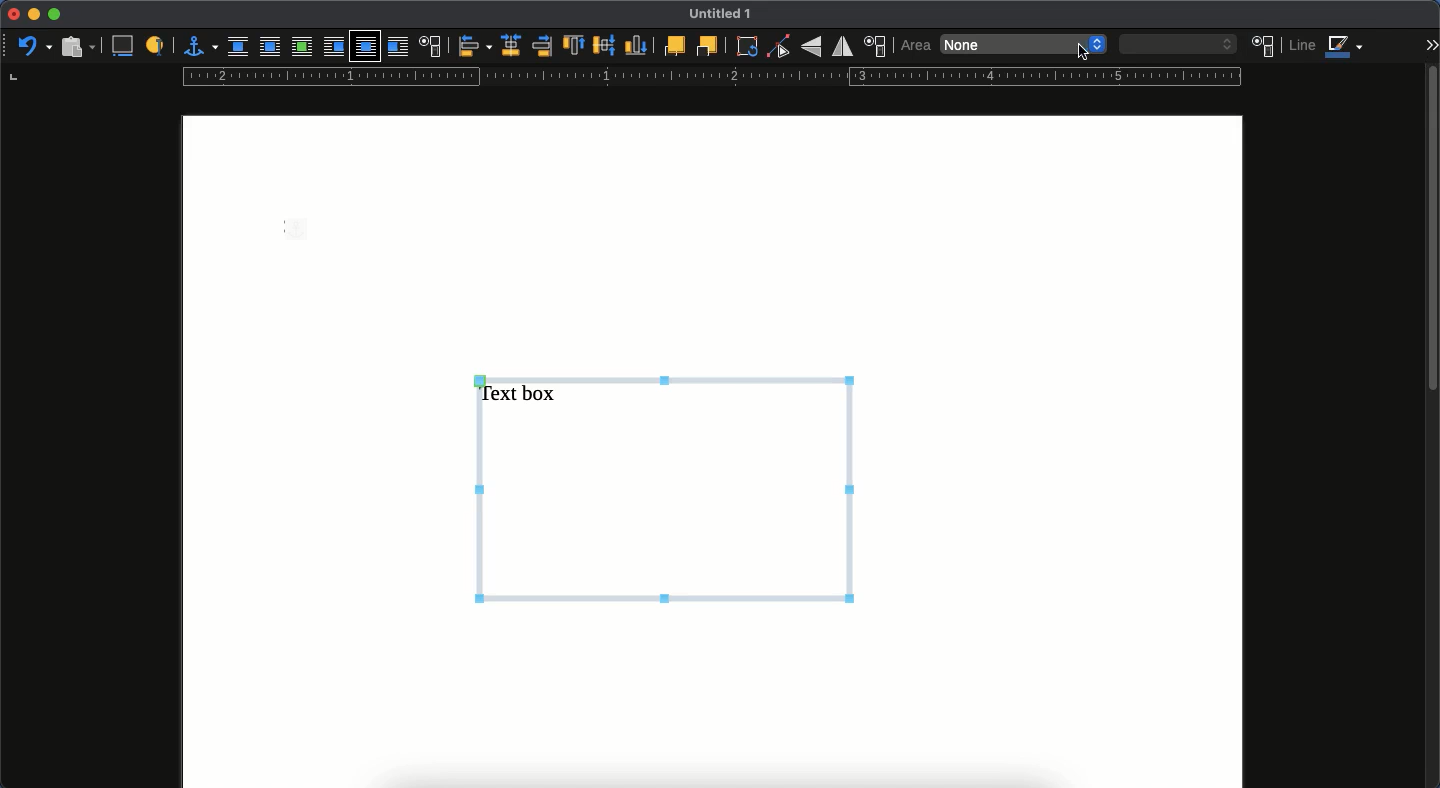 The image size is (1440, 788). Describe the element at coordinates (637, 46) in the screenshot. I see `bottom` at that location.